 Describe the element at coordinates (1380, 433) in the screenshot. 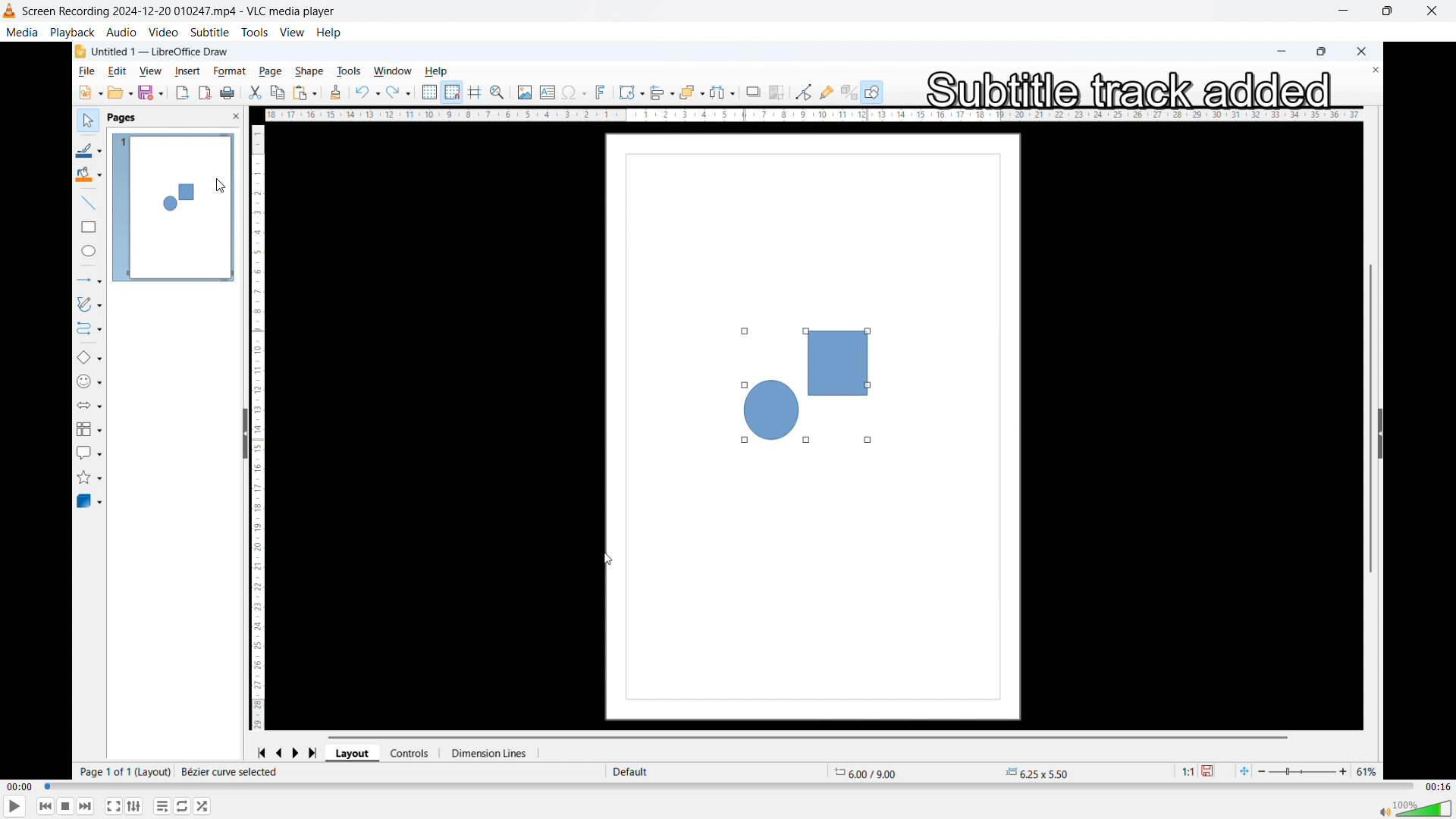

I see `hide` at that location.